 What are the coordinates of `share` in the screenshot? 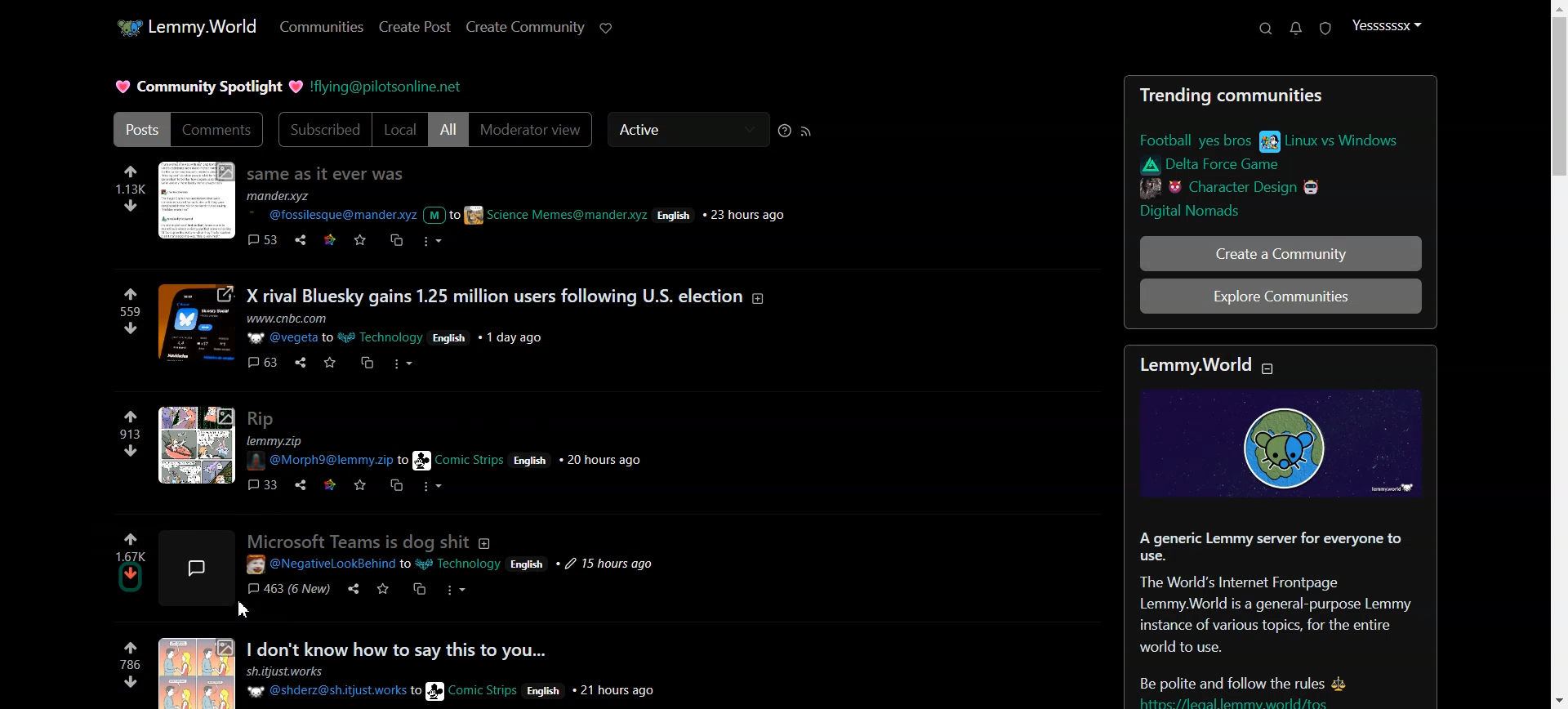 It's located at (301, 361).